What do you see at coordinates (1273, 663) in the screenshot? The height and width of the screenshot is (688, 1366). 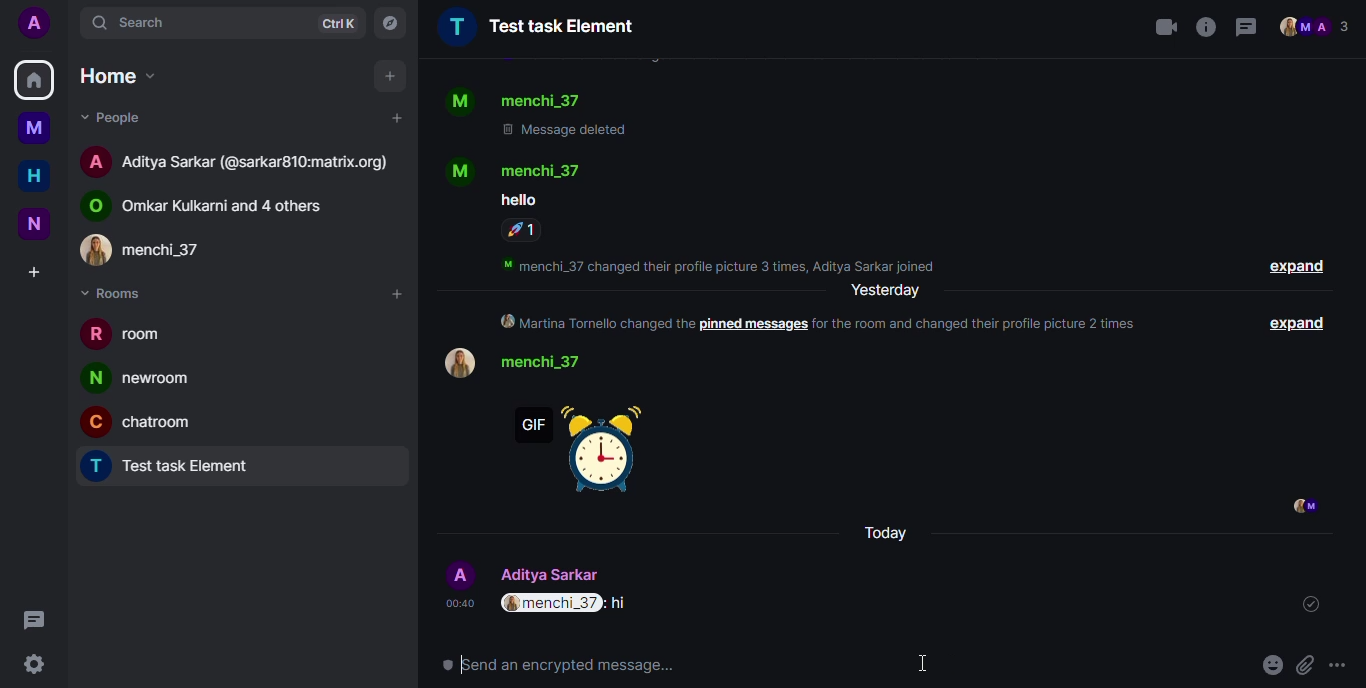 I see `emoji` at bounding box center [1273, 663].